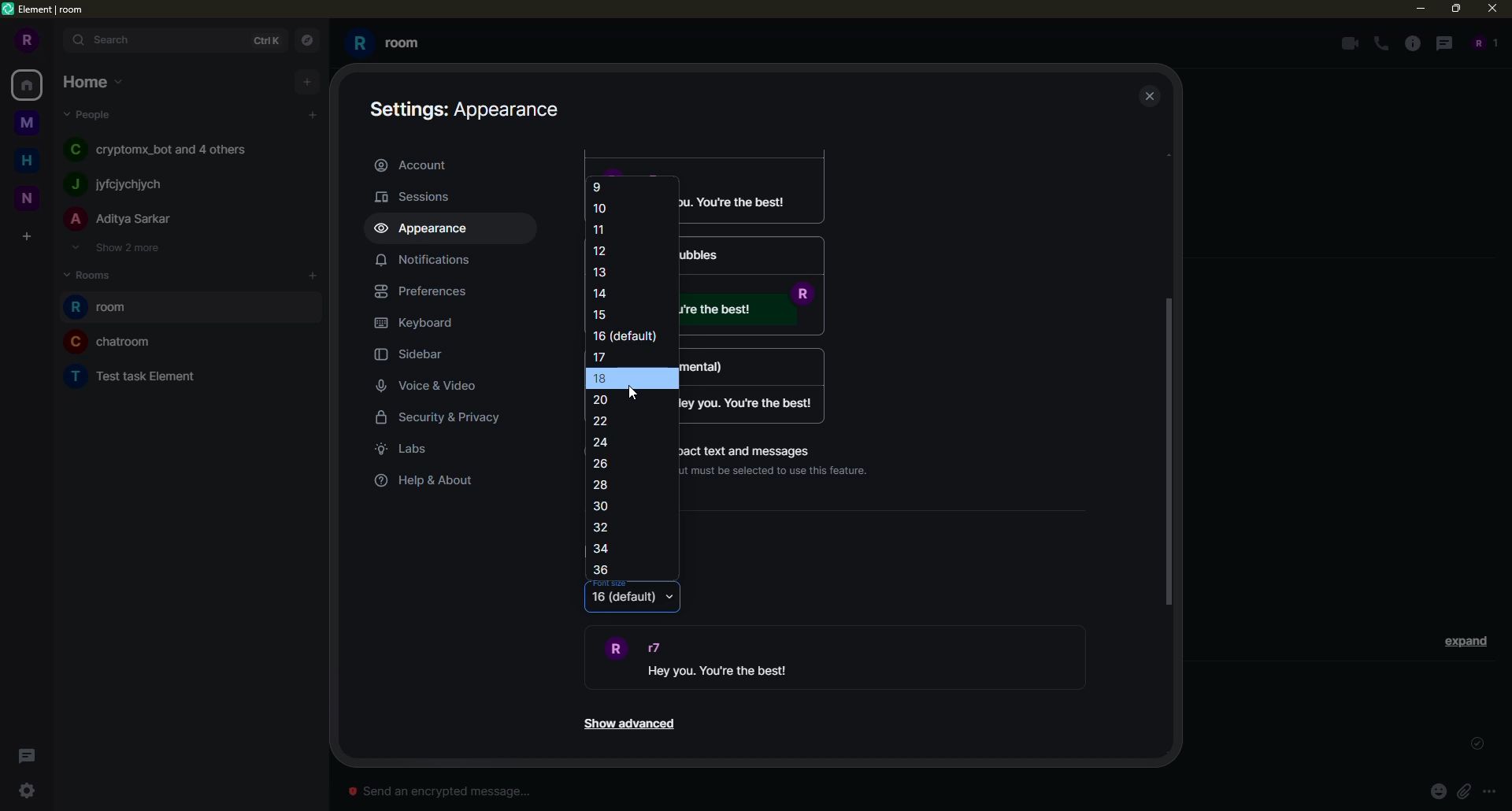 The height and width of the screenshot is (811, 1512). What do you see at coordinates (27, 791) in the screenshot?
I see `settings` at bounding box center [27, 791].